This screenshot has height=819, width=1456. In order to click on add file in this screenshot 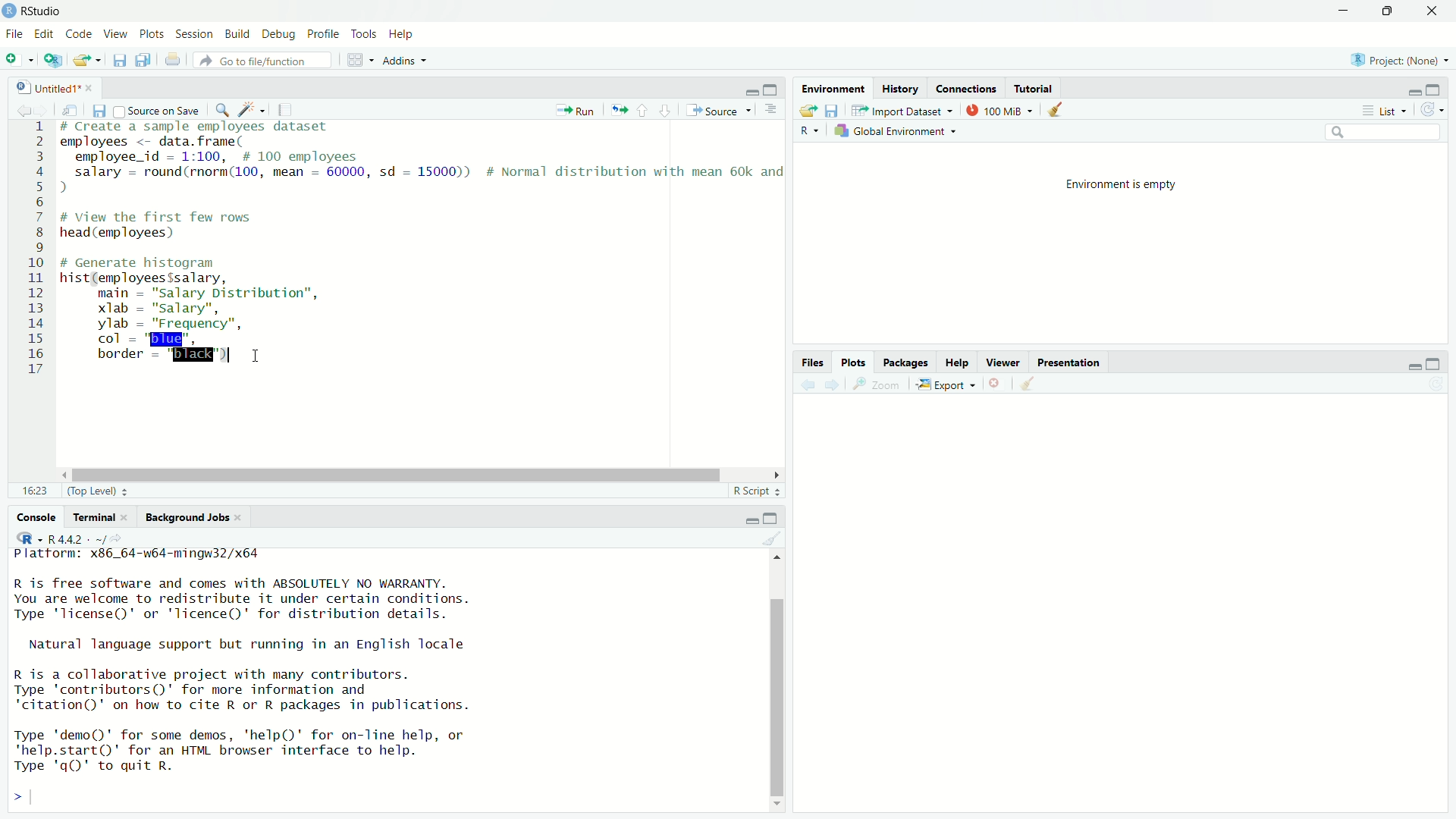, I will do `click(53, 60)`.